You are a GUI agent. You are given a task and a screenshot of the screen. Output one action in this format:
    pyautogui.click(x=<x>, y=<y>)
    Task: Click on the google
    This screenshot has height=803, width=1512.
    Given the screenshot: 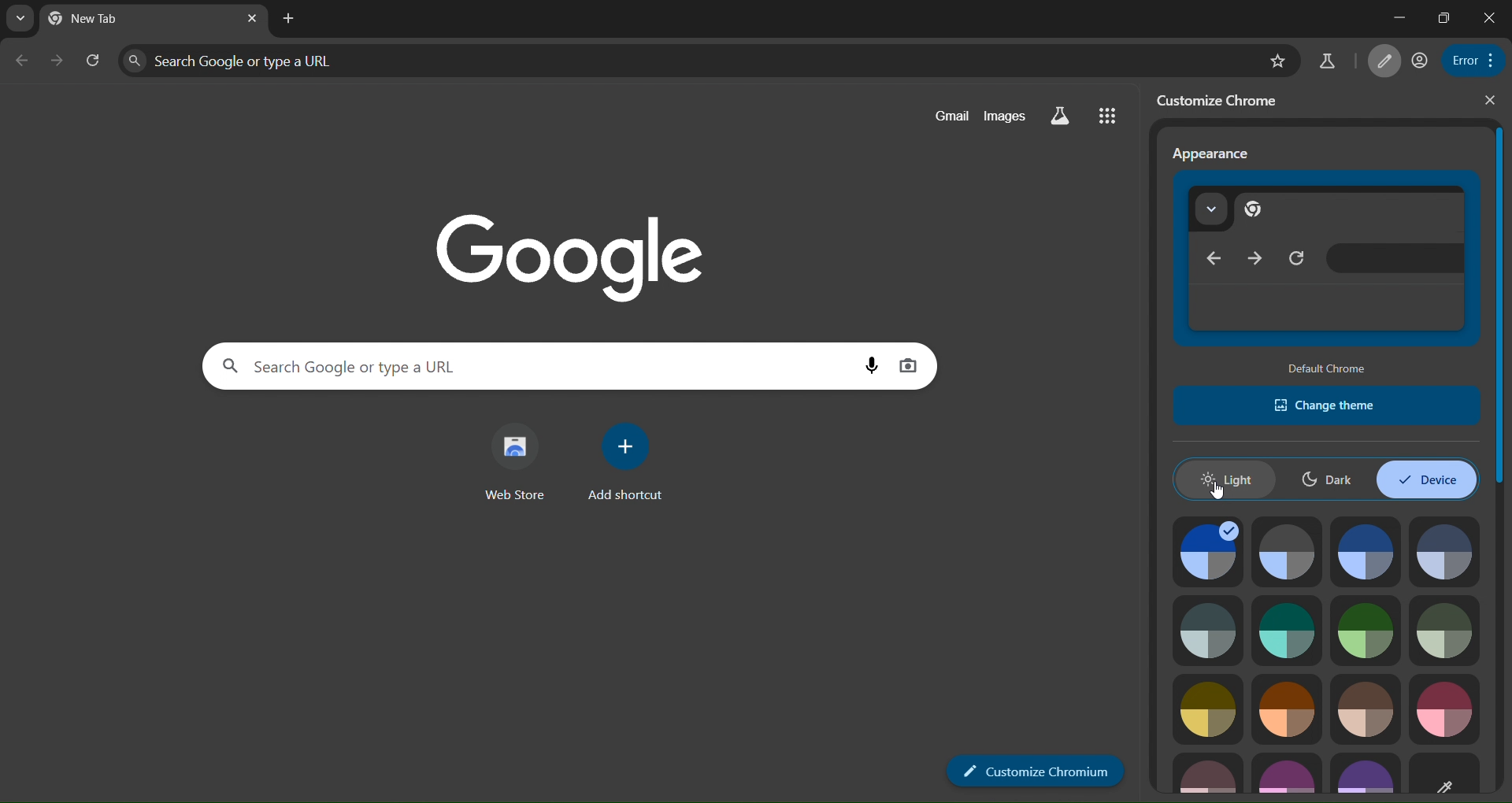 What is the action you would take?
    pyautogui.click(x=561, y=253)
    